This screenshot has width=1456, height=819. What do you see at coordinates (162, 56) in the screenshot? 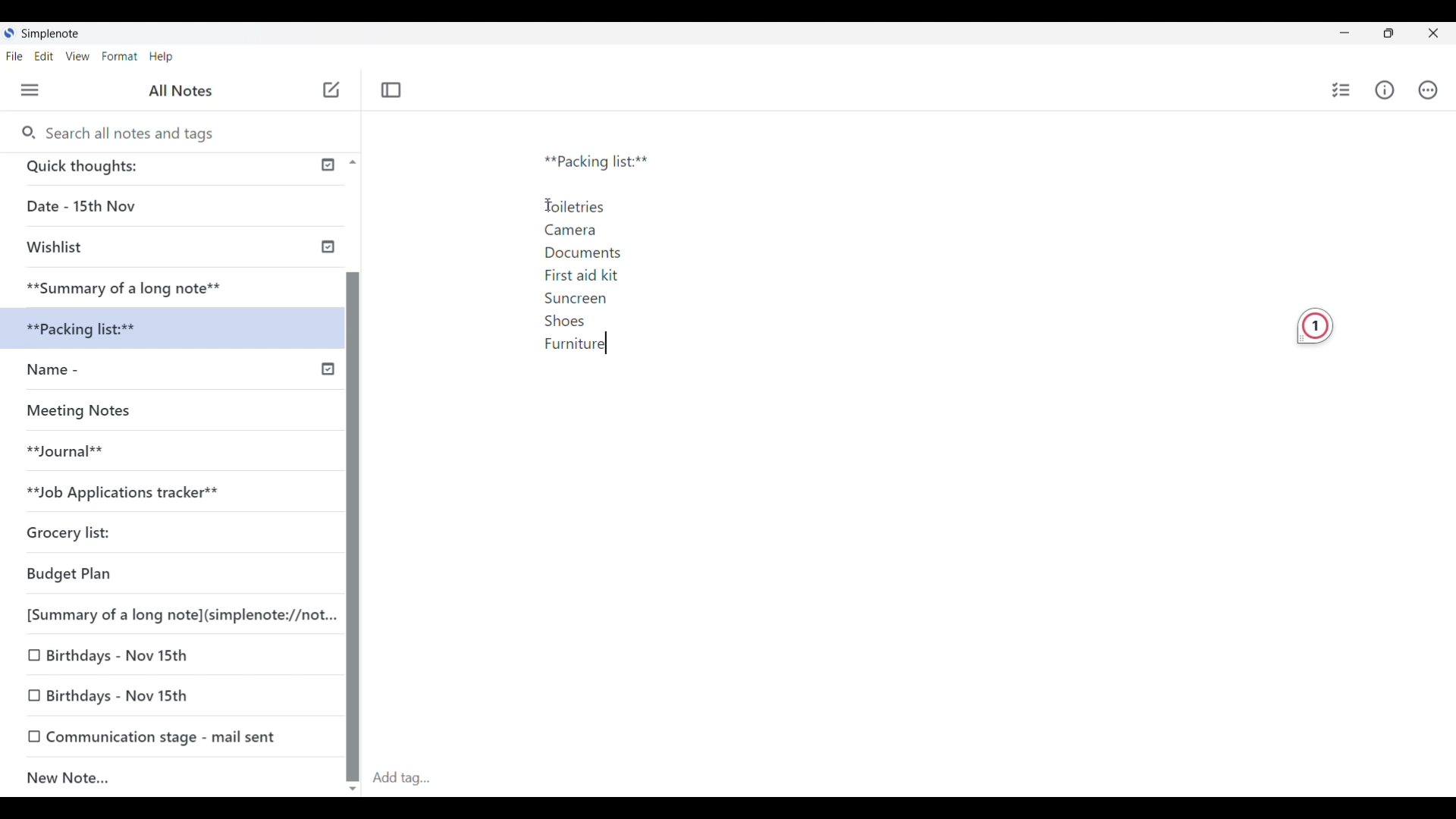
I see `Help menu` at bounding box center [162, 56].